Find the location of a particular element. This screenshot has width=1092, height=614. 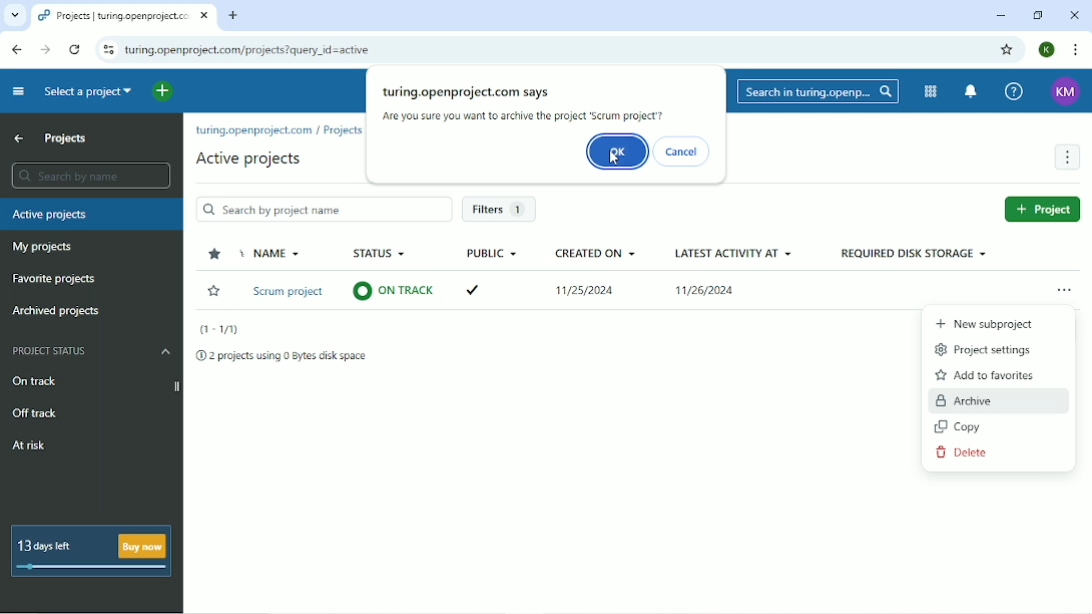

Created on is located at coordinates (596, 253).